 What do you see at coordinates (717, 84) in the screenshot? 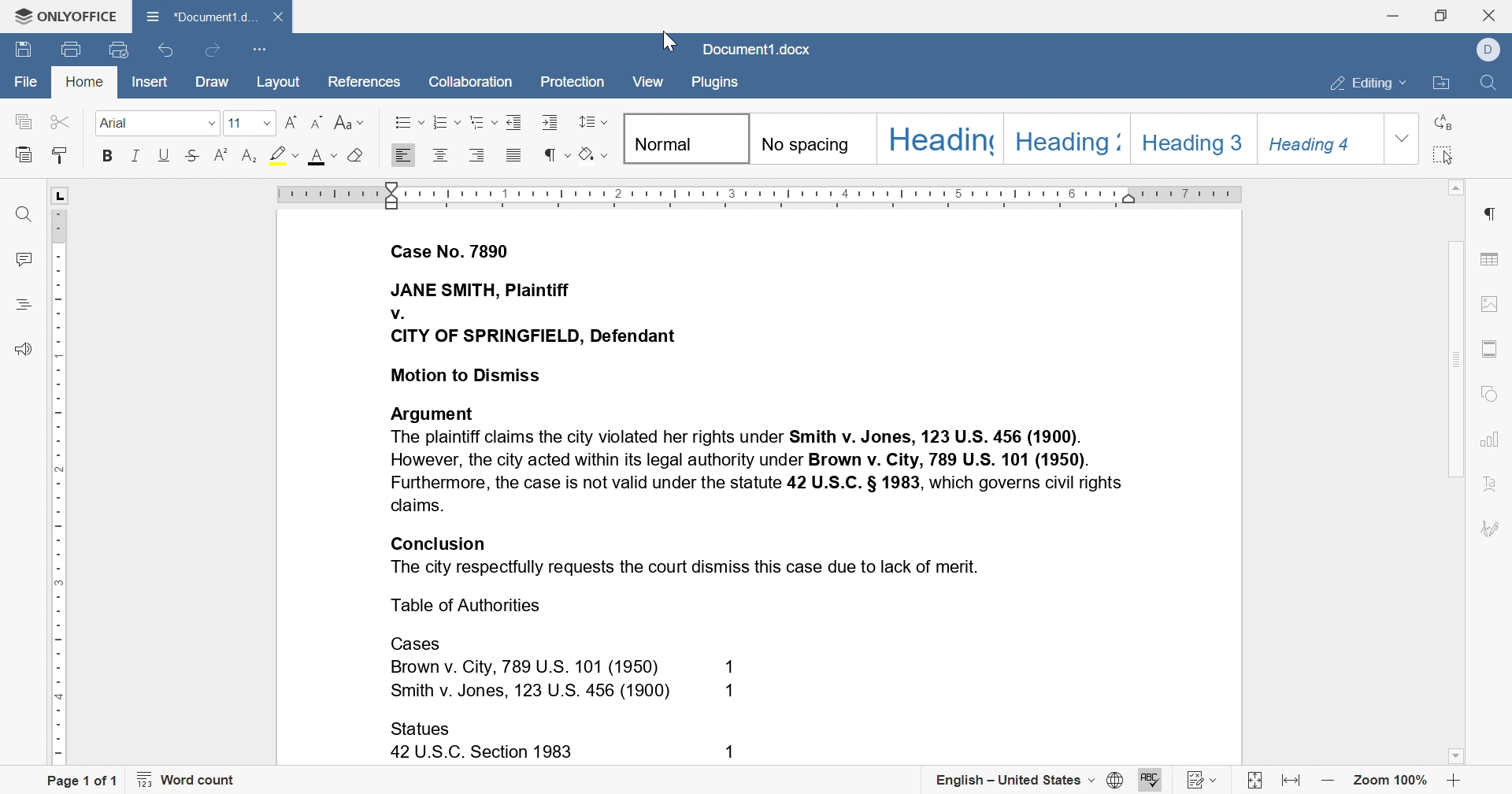
I see `plugins` at bounding box center [717, 84].